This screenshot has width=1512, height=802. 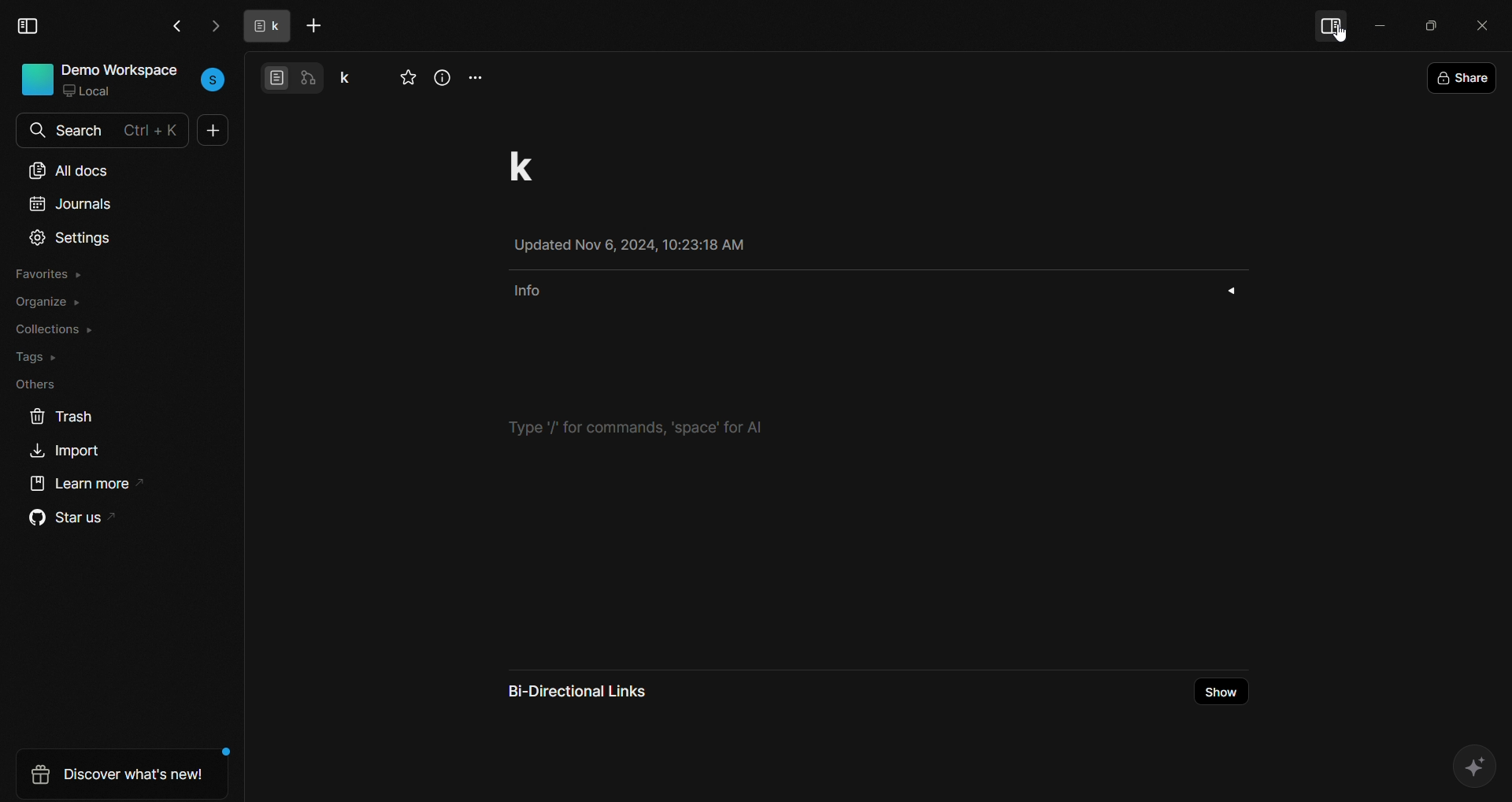 I want to click on learn more, so click(x=82, y=488).